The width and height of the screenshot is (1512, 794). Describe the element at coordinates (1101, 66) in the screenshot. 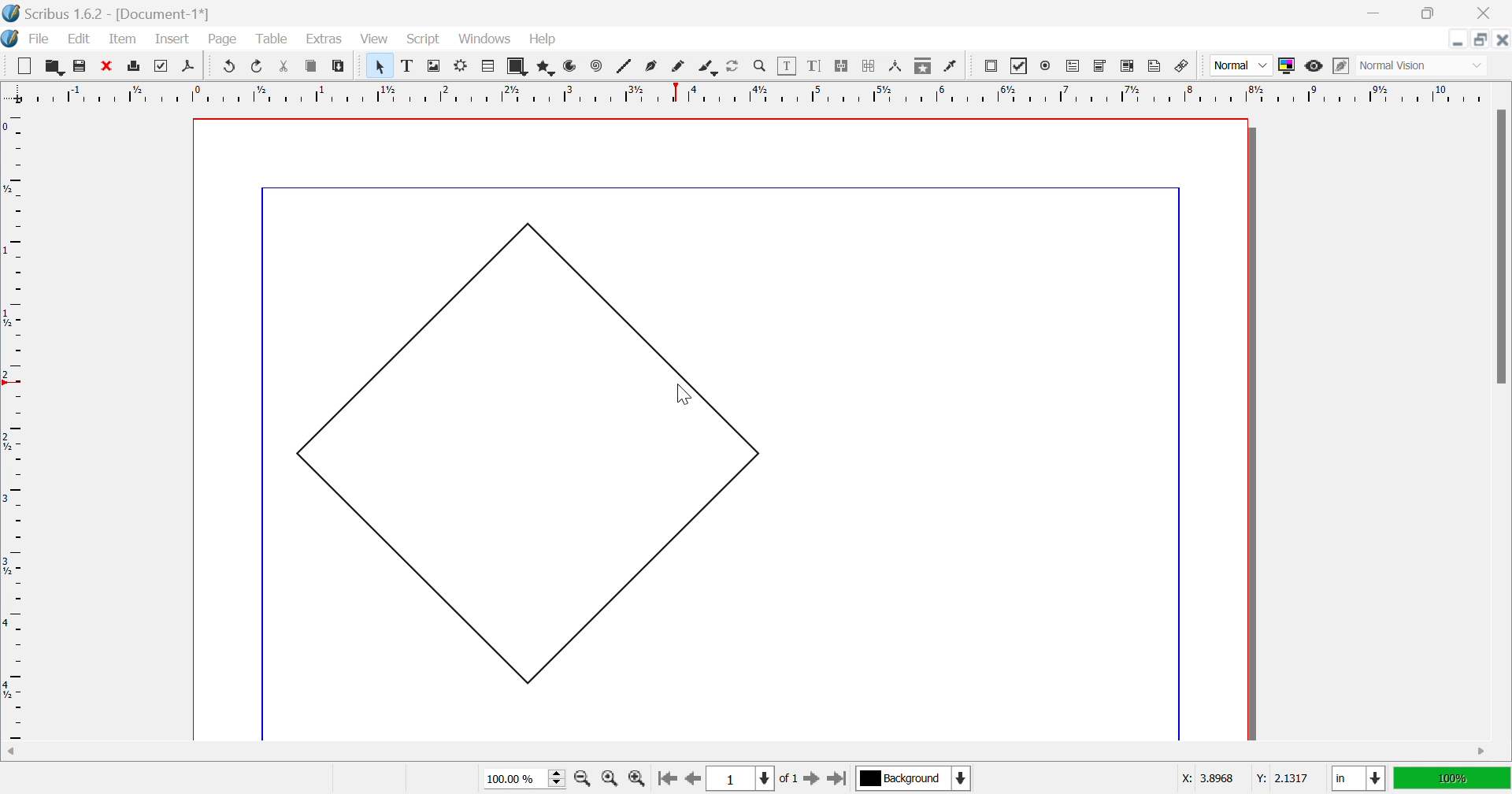

I see `PDF combo box` at that location.